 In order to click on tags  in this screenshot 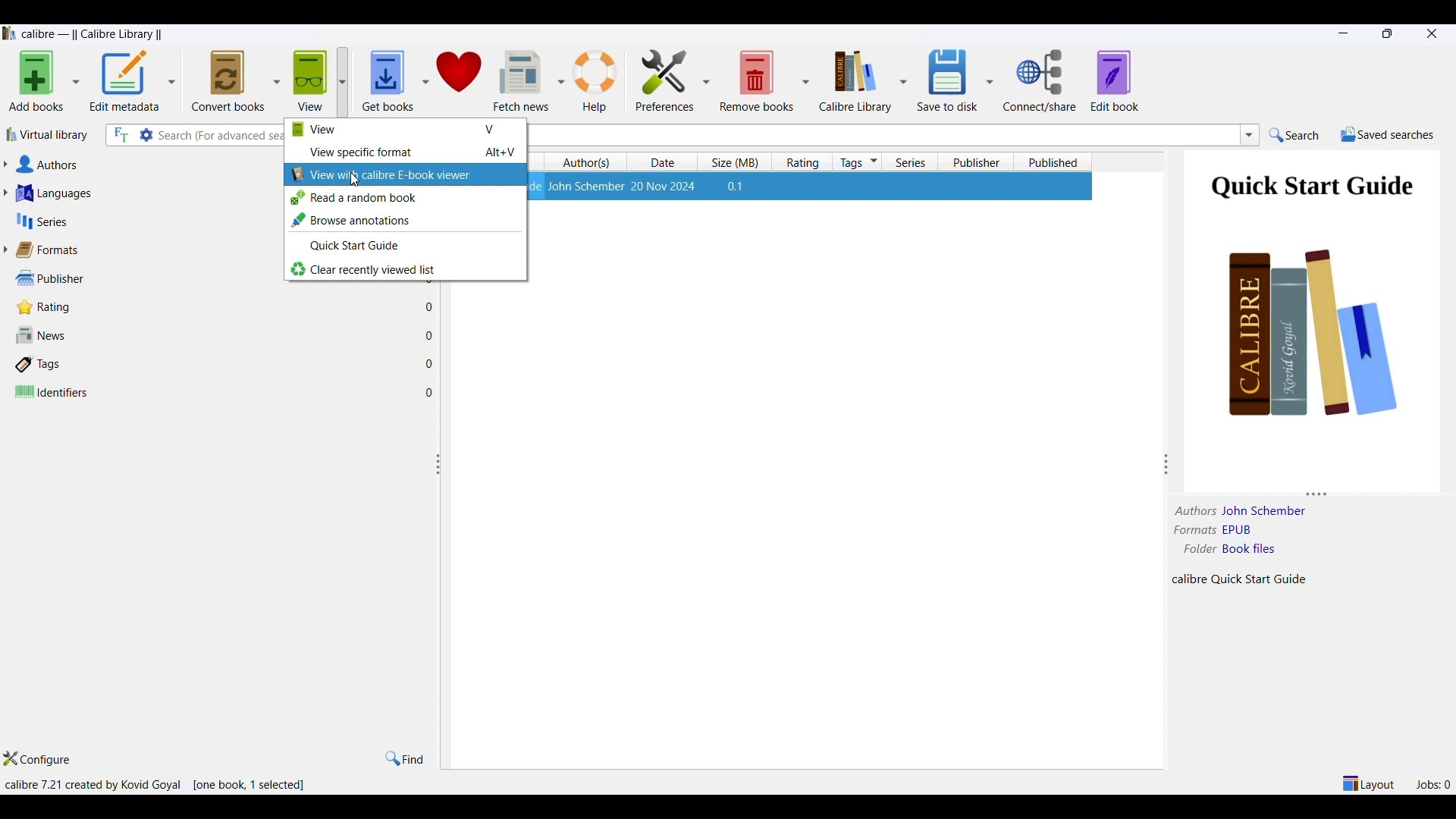, I will do `click(228, 362)`.